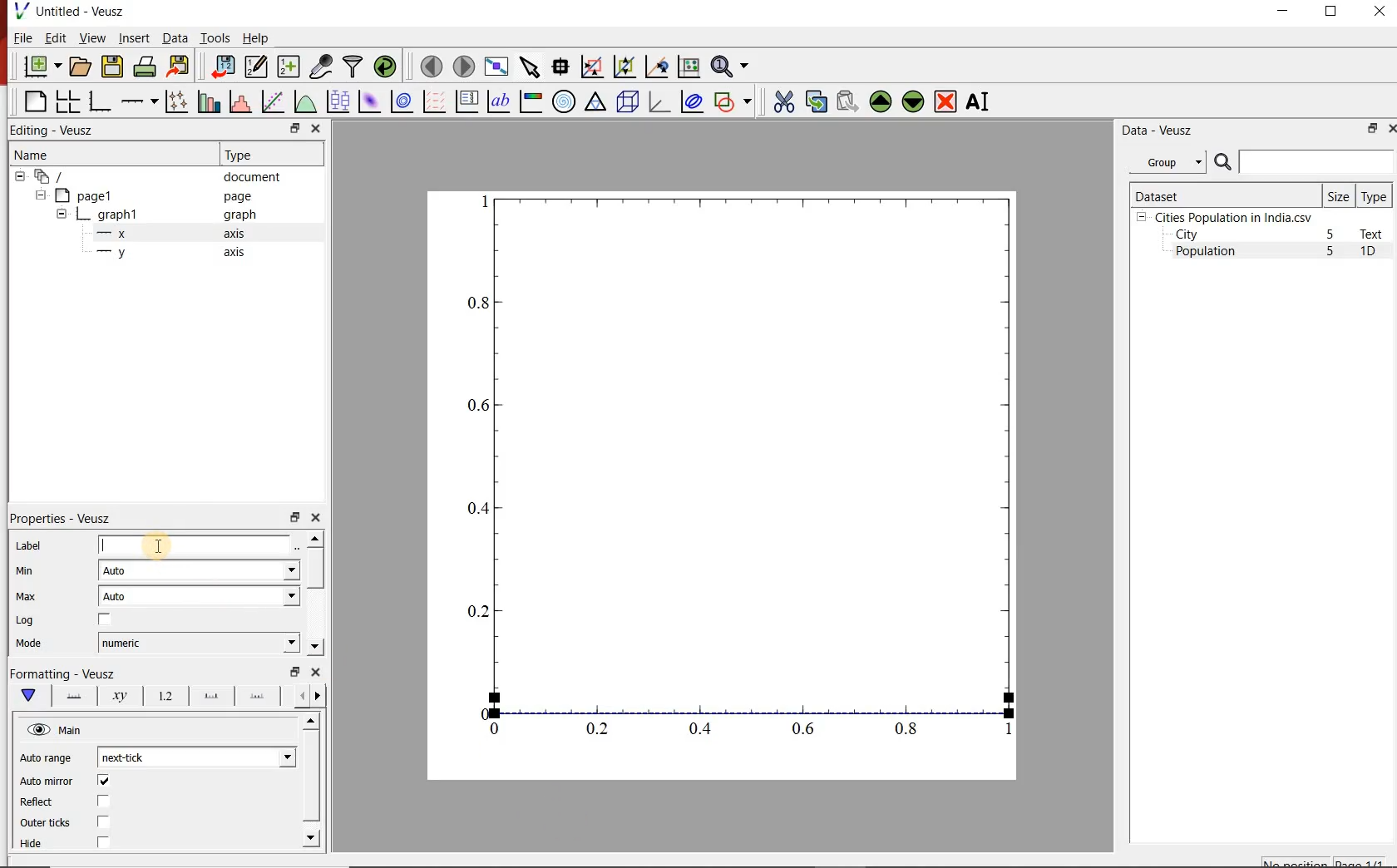 The image size is (1397, 868). Describe the element at coordinates (1223, 195) in the screenshot. I see `Dataset` at that location.